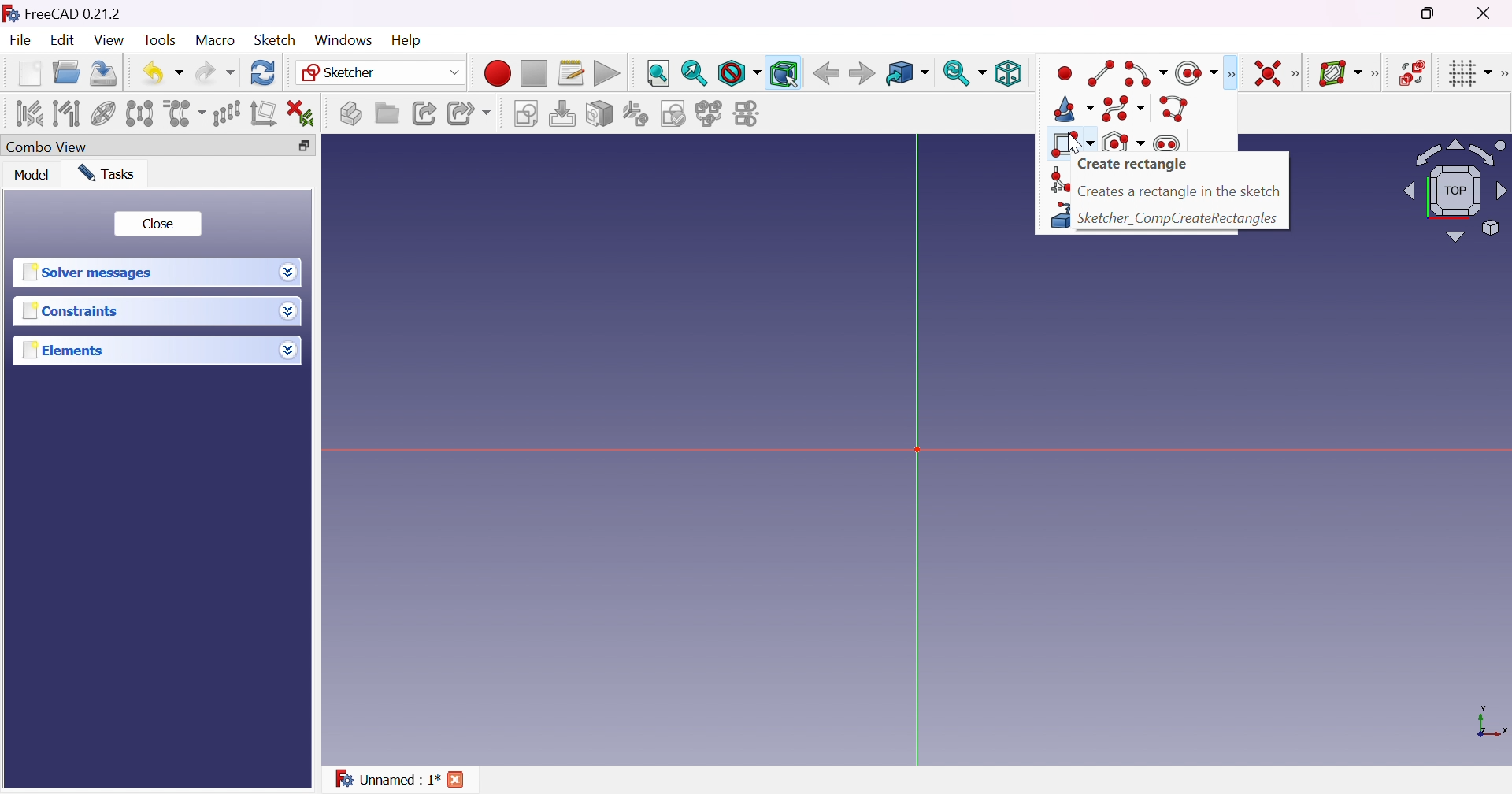  I want to click on Crate rectangle, so click(1133, 164).